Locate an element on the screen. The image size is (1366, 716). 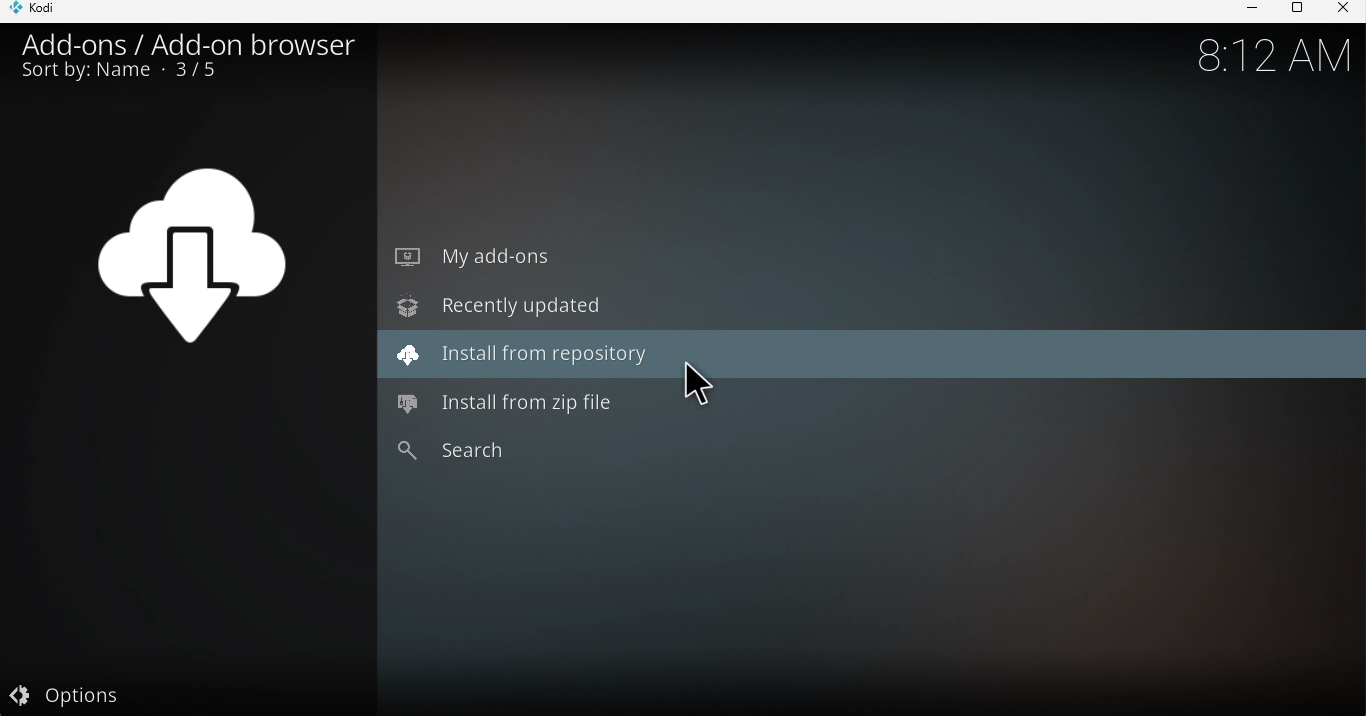
Add-ons/Add-on browser is located at coordinates (187, 64).